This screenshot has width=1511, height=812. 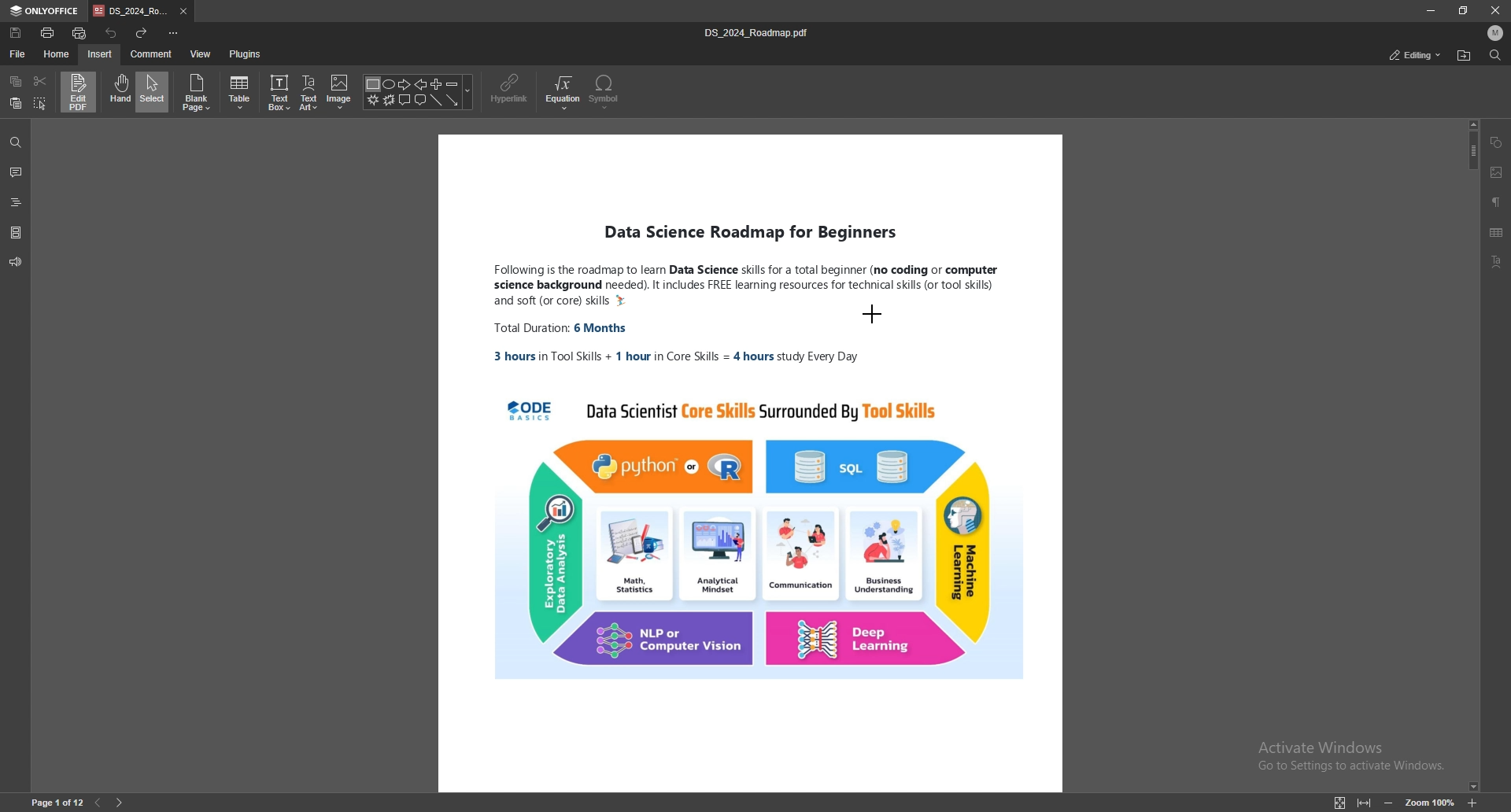 What do you see at coordinates (1471, 455) in the screenshot?
I see `scroll bar` at bounding box center [1471, 455].